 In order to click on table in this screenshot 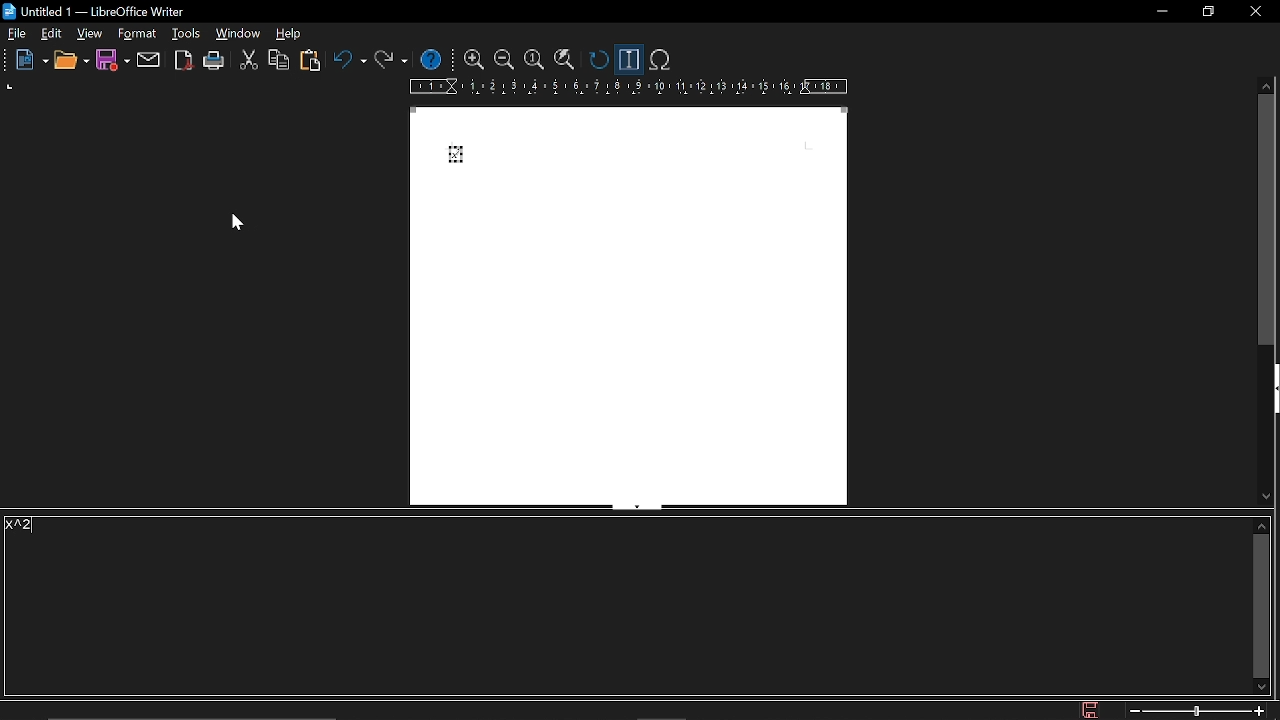, I will do `click(290, 35)`.